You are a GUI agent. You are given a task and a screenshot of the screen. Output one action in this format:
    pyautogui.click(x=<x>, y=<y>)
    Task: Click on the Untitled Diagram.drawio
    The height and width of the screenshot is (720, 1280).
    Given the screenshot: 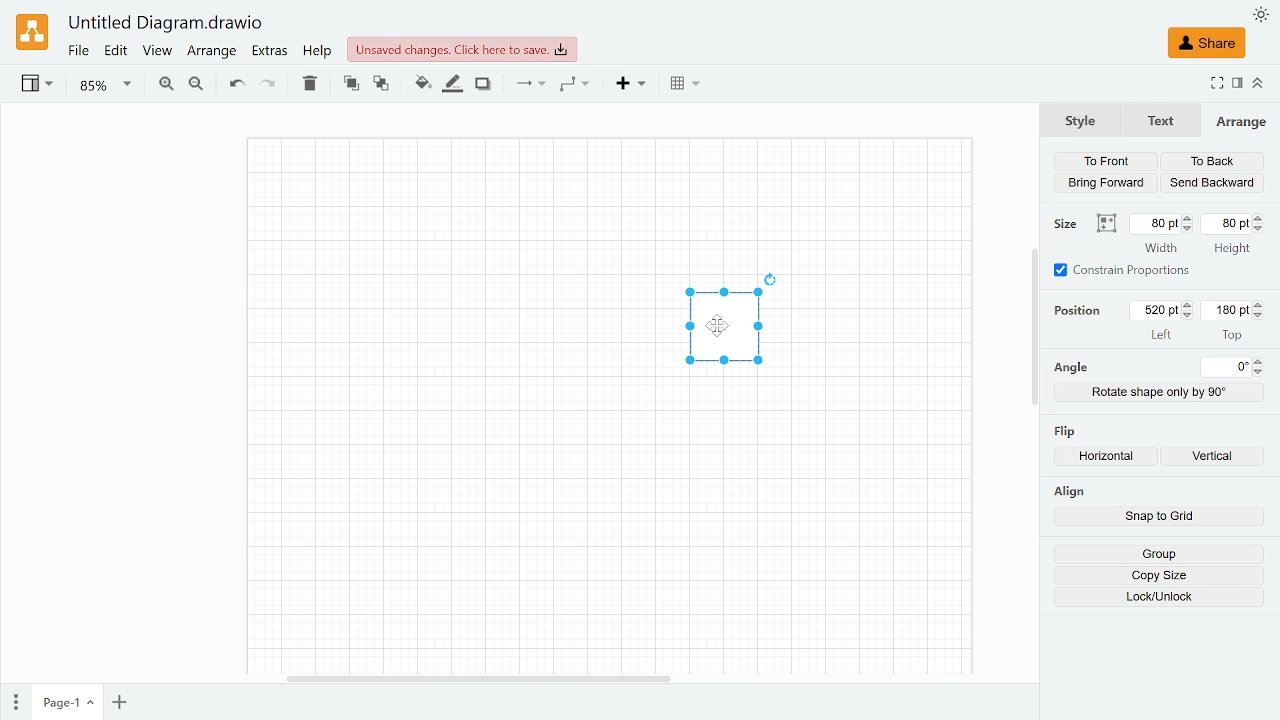 What is the action you would take?
    pyautogui.click(x=166, y=24)
    